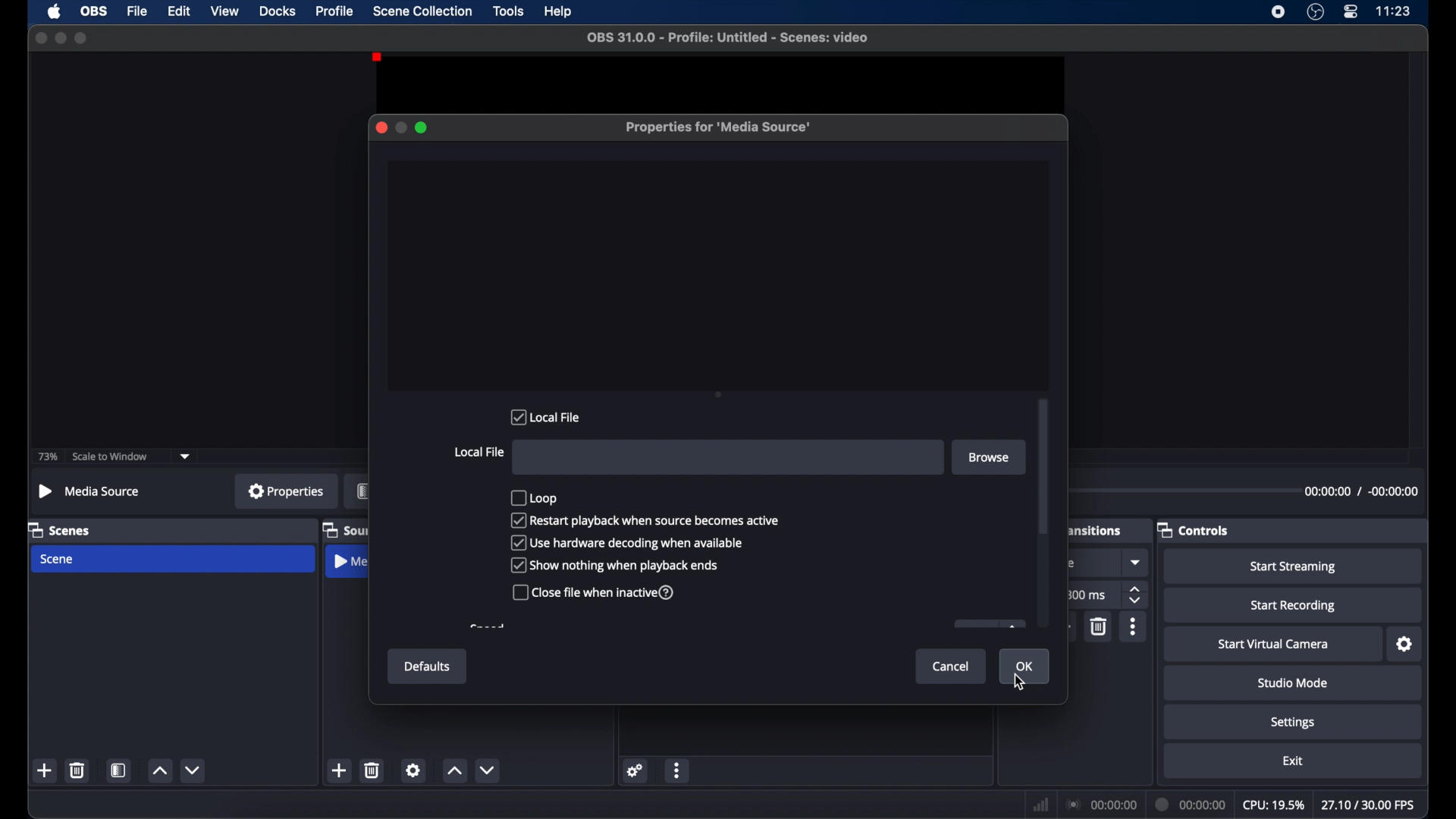  Describe the element at coordinates (1370, 805) in the screenshot. I see `fps` at that location.